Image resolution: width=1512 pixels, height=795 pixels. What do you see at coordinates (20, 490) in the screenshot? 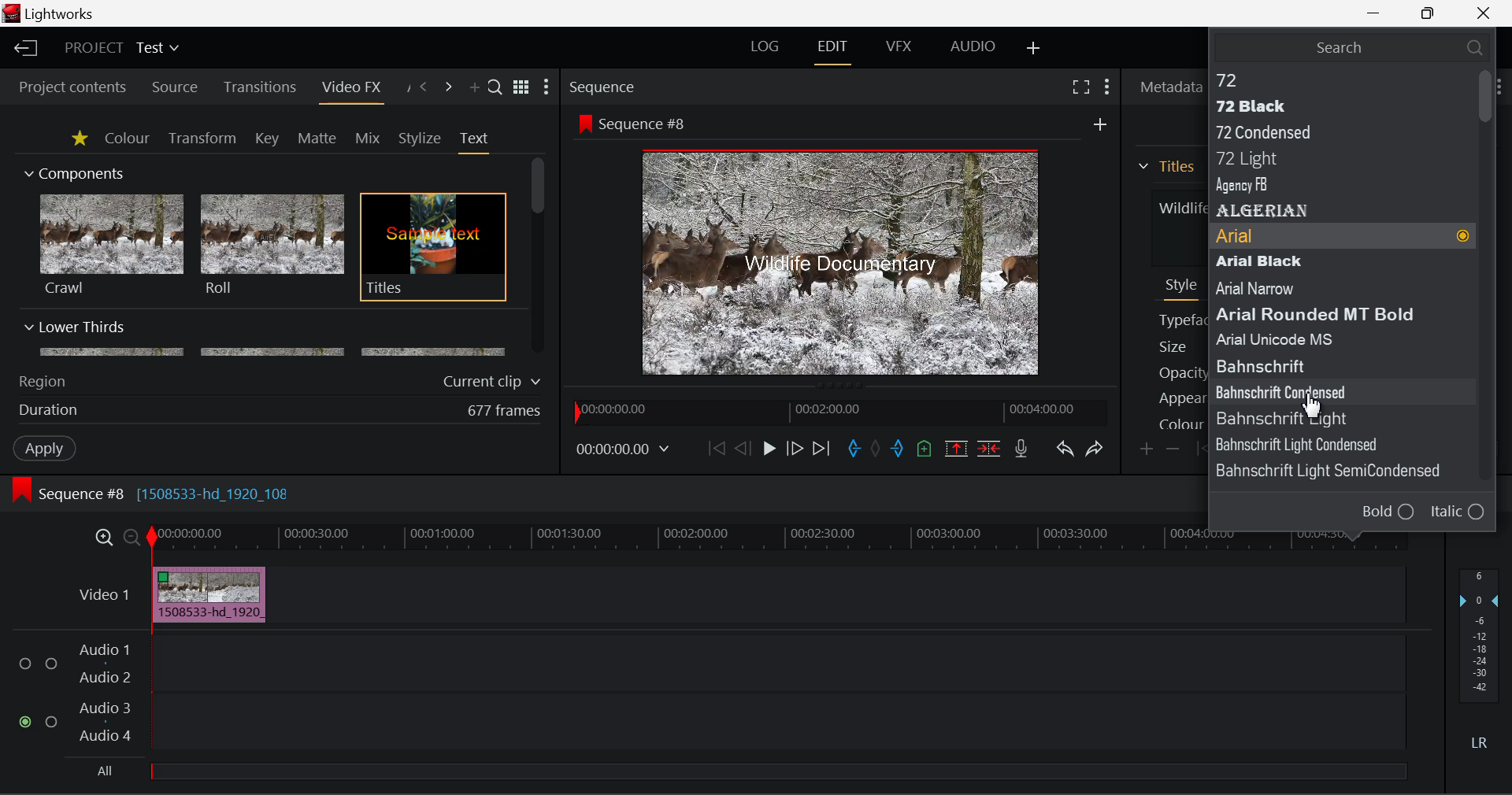
I see `icon` at bounding box center [20, 490].